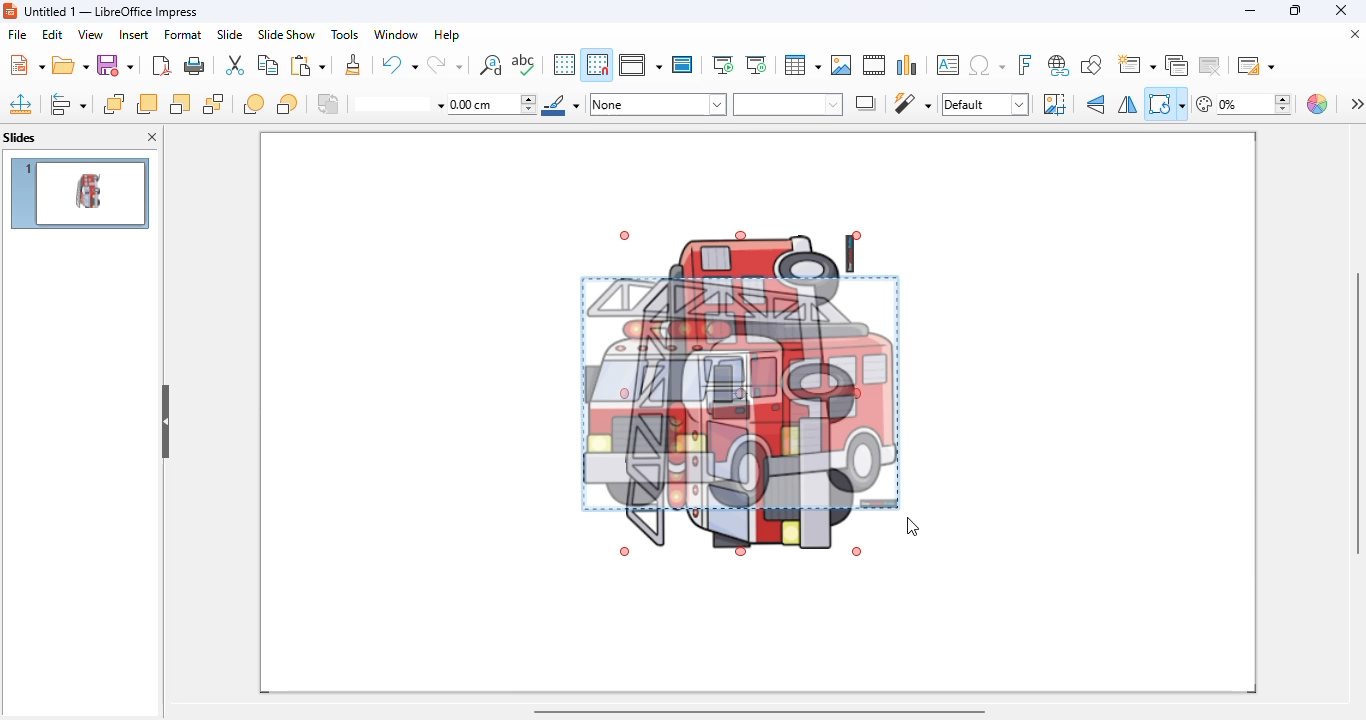 The image size is (1366, 720). What do you see at coordinates (490, 64) in the screenshot?
I see `find and replace` at bounding box center [490, 64].